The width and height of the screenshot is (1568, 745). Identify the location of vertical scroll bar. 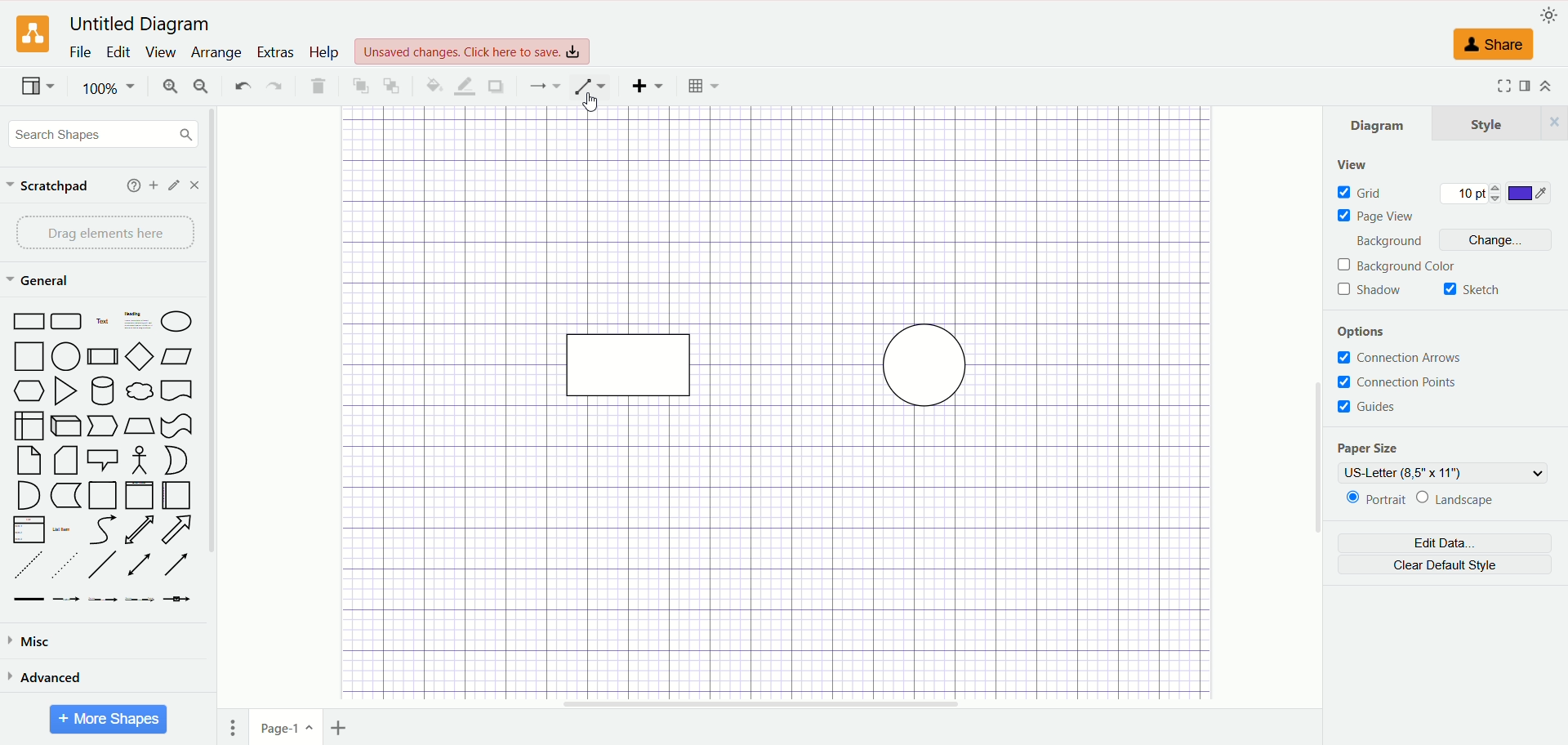
(218, 426).